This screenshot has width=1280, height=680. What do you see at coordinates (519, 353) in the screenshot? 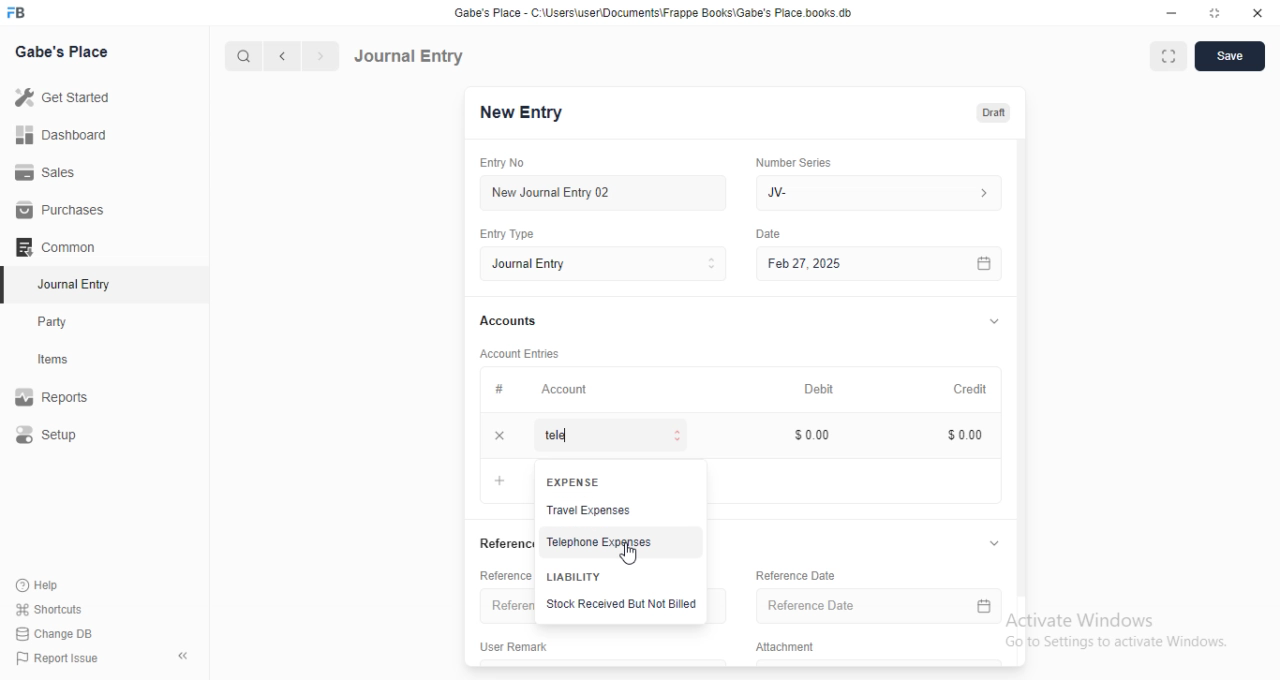
I see `Account entries` at bounding box center [519, 353].